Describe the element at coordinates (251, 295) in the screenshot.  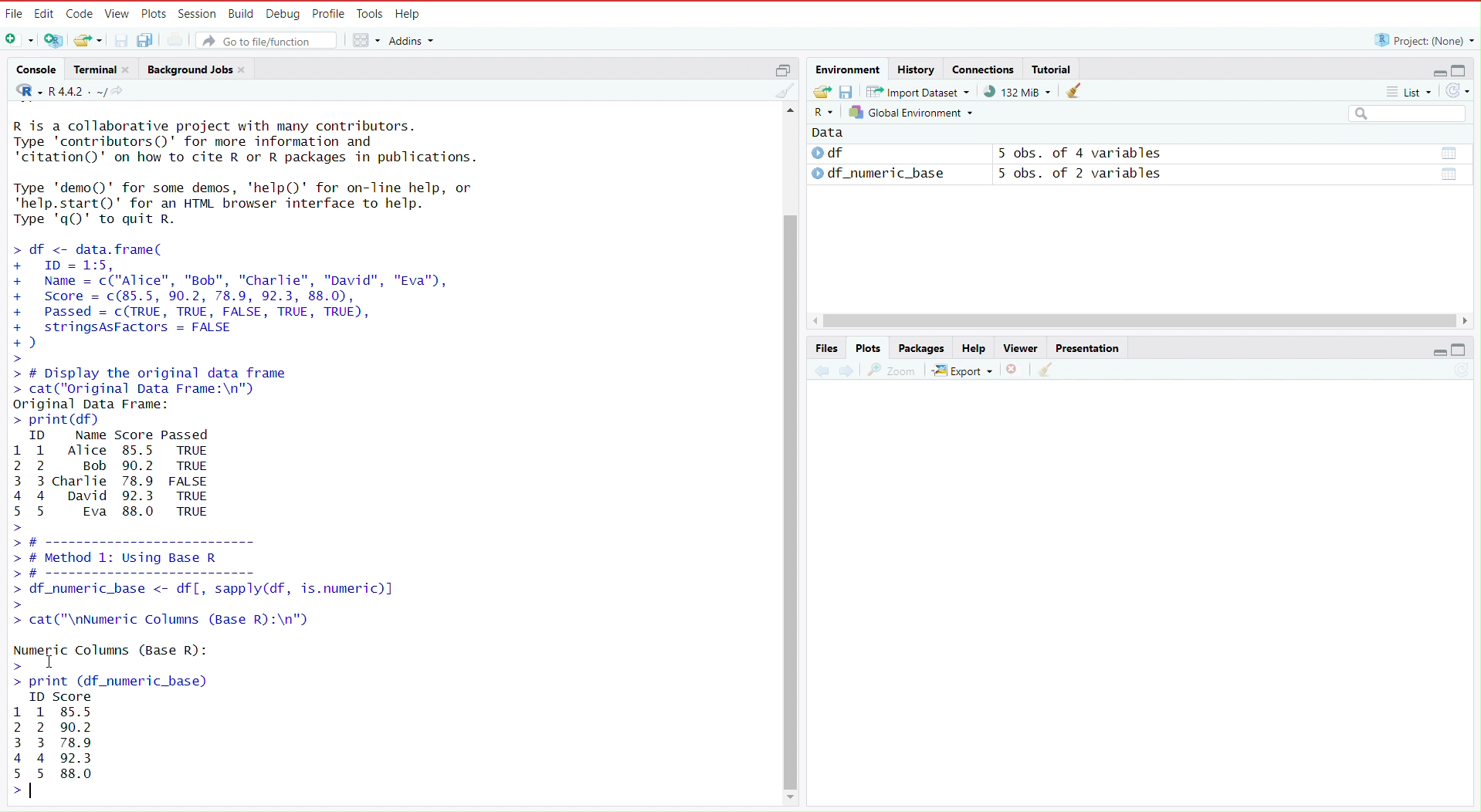
I see `df <- data.frame(
ID = 1:5,
Name = c("Alice", "Bob", "Charlie", "David", "Eva"),
Score = c(85.5, 90.2, 78.9, 92.3, 88.0),
Passed = c(TRUE, TRUE, FALSE, TRUE, TRUE),
stringsAsFactors = FALSE

)` at that location.